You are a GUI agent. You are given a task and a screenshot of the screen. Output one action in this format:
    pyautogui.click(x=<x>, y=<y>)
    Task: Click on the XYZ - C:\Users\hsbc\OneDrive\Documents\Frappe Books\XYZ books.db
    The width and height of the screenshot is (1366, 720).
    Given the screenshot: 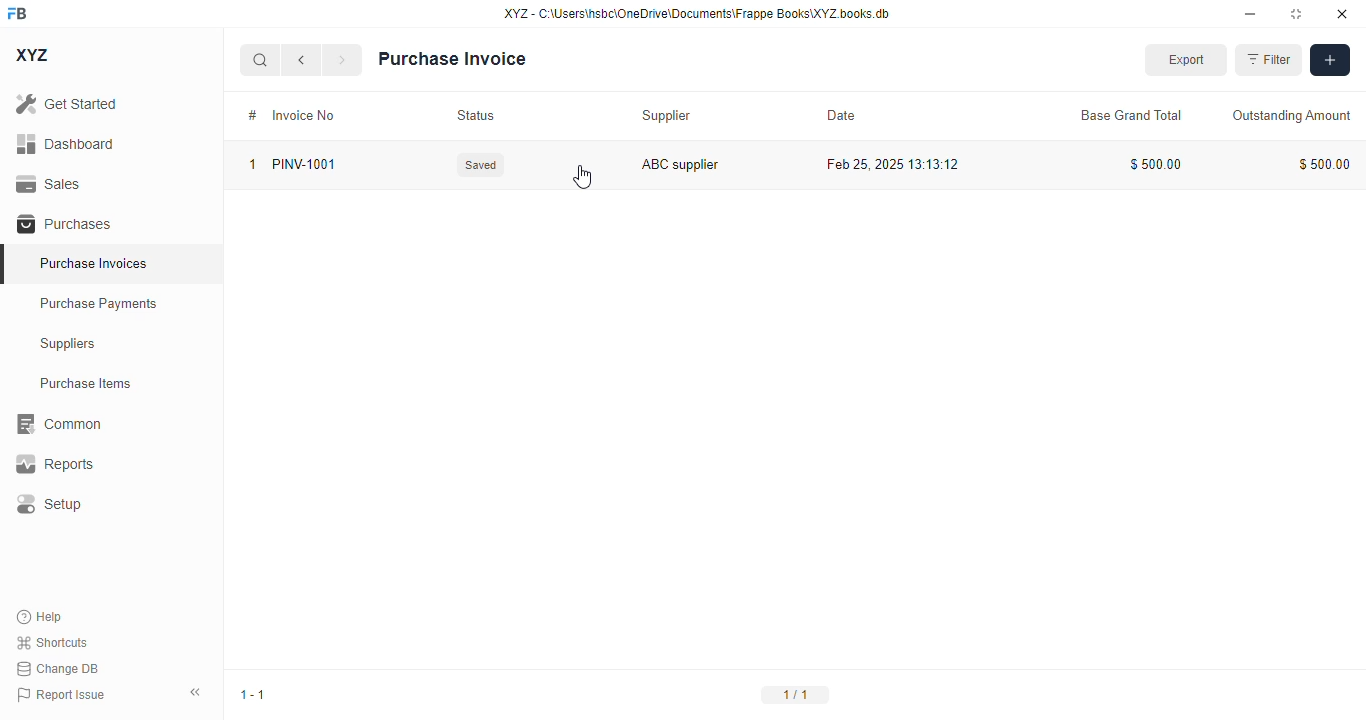 What is the action you would take?
    pyautogui.click(x=697, y=13)
    